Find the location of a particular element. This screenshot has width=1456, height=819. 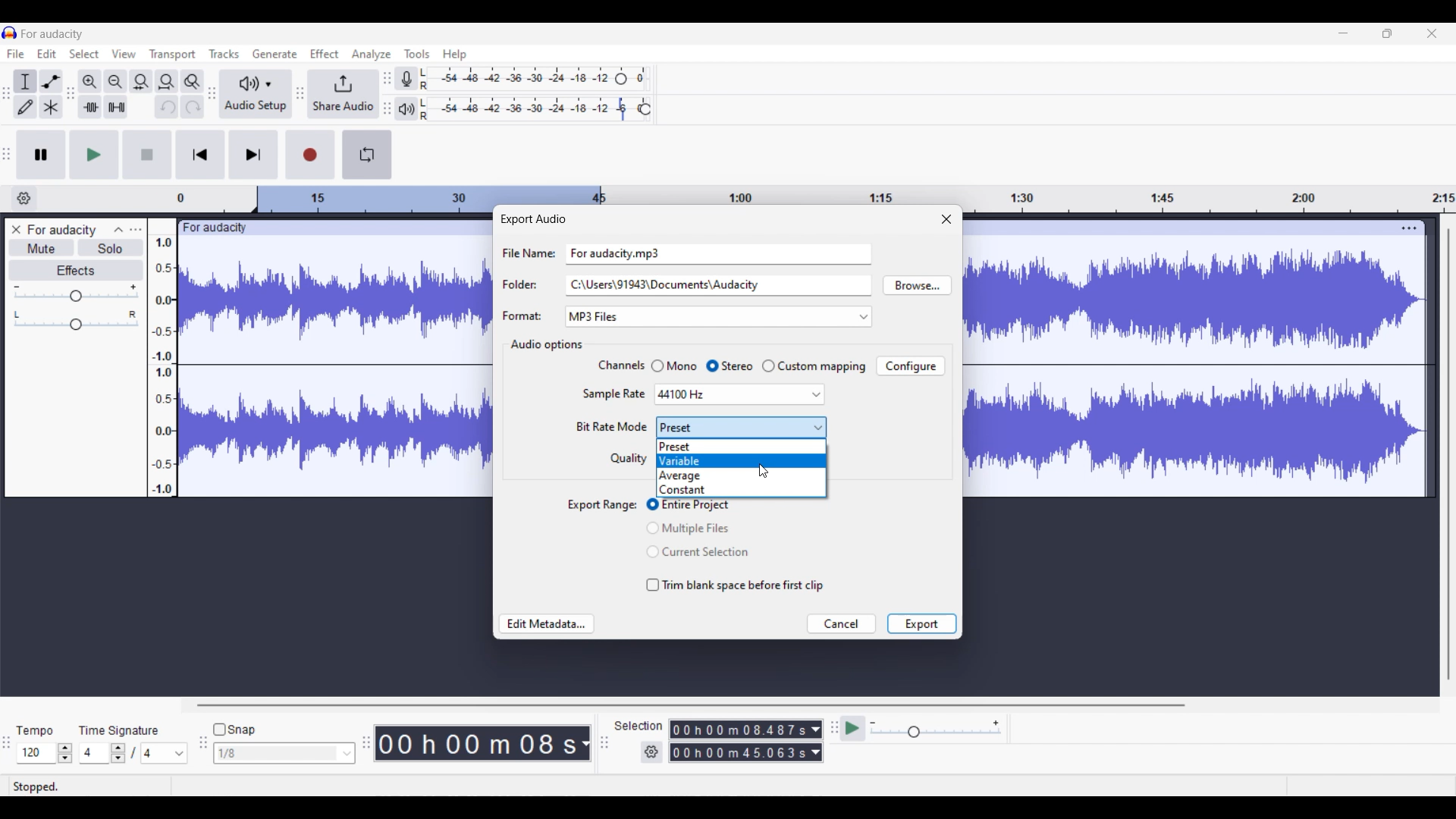

Fit project to width is located at coordinates (168, 82).